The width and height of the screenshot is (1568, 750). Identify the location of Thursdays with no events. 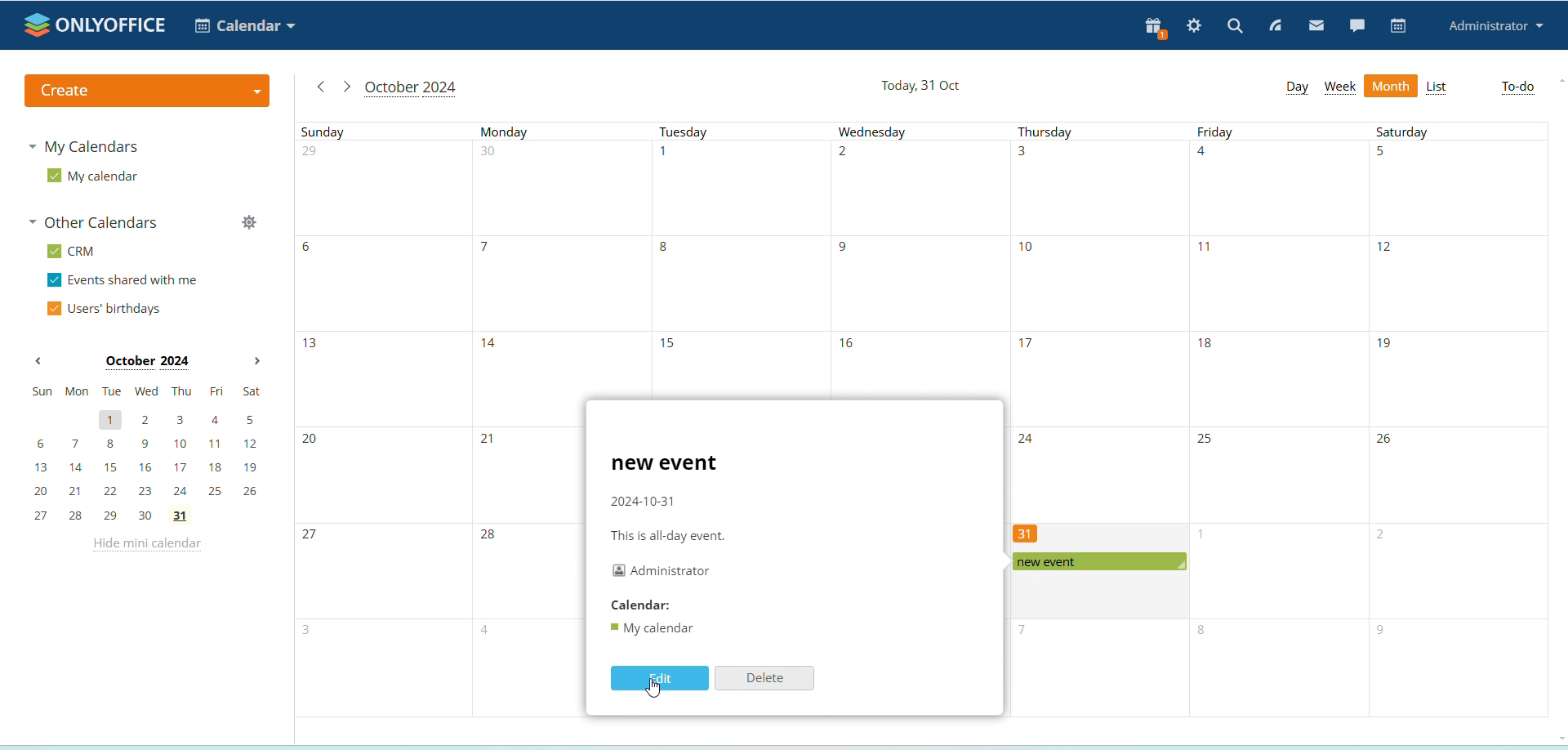
(1098, 323).